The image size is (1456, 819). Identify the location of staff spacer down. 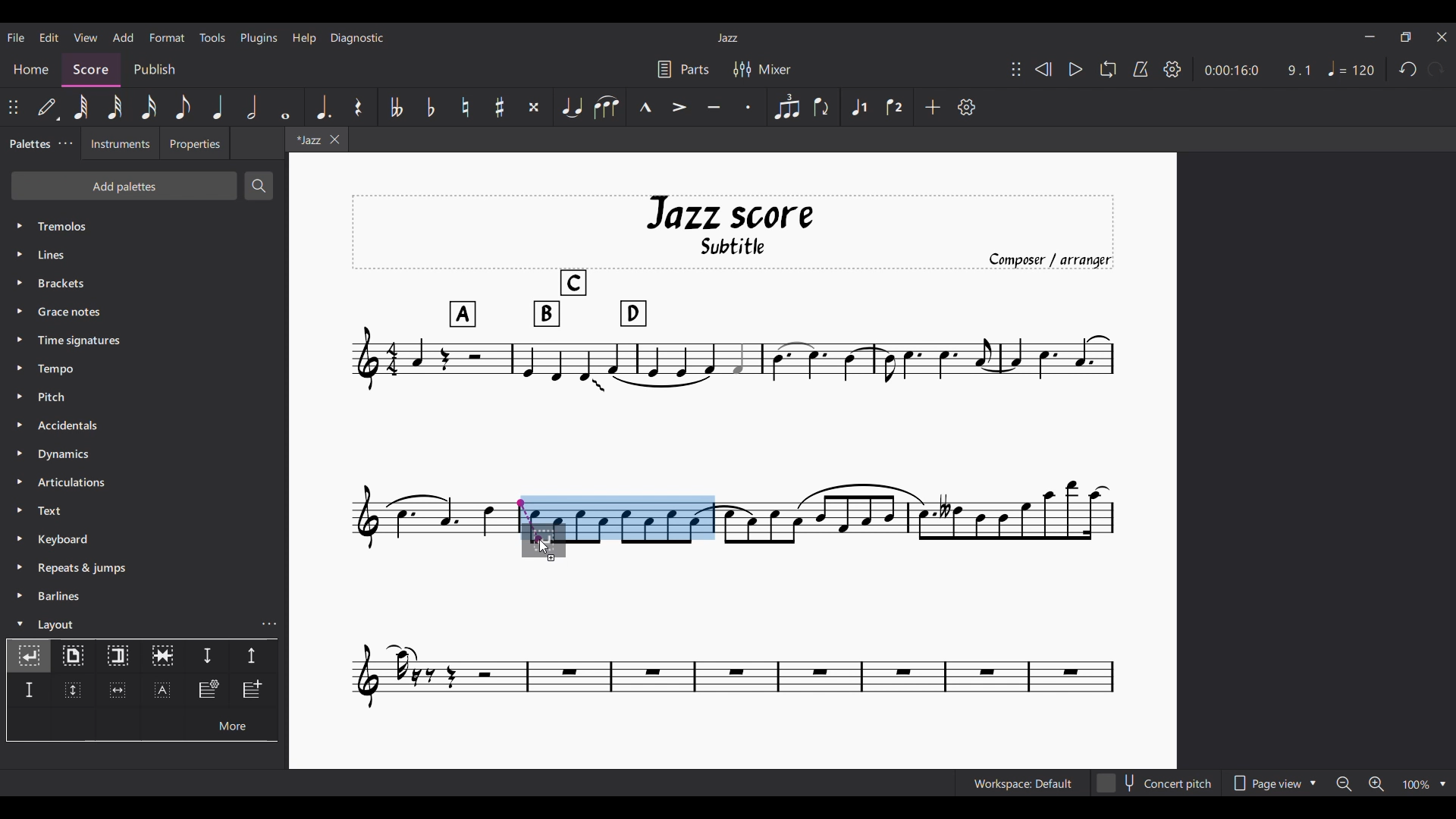
(207, 657).